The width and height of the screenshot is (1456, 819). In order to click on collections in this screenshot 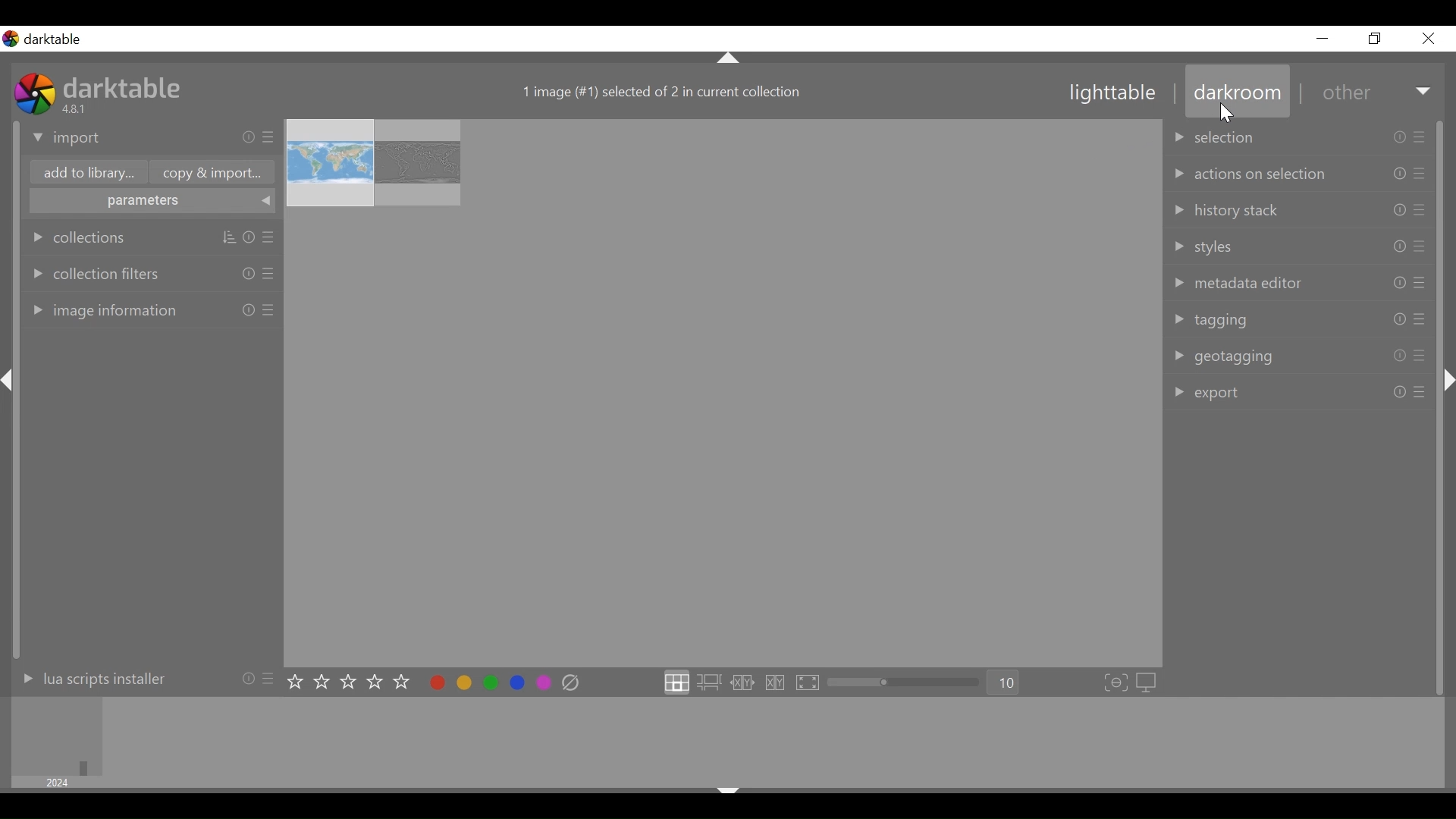, I will do `click(153, 237)`.